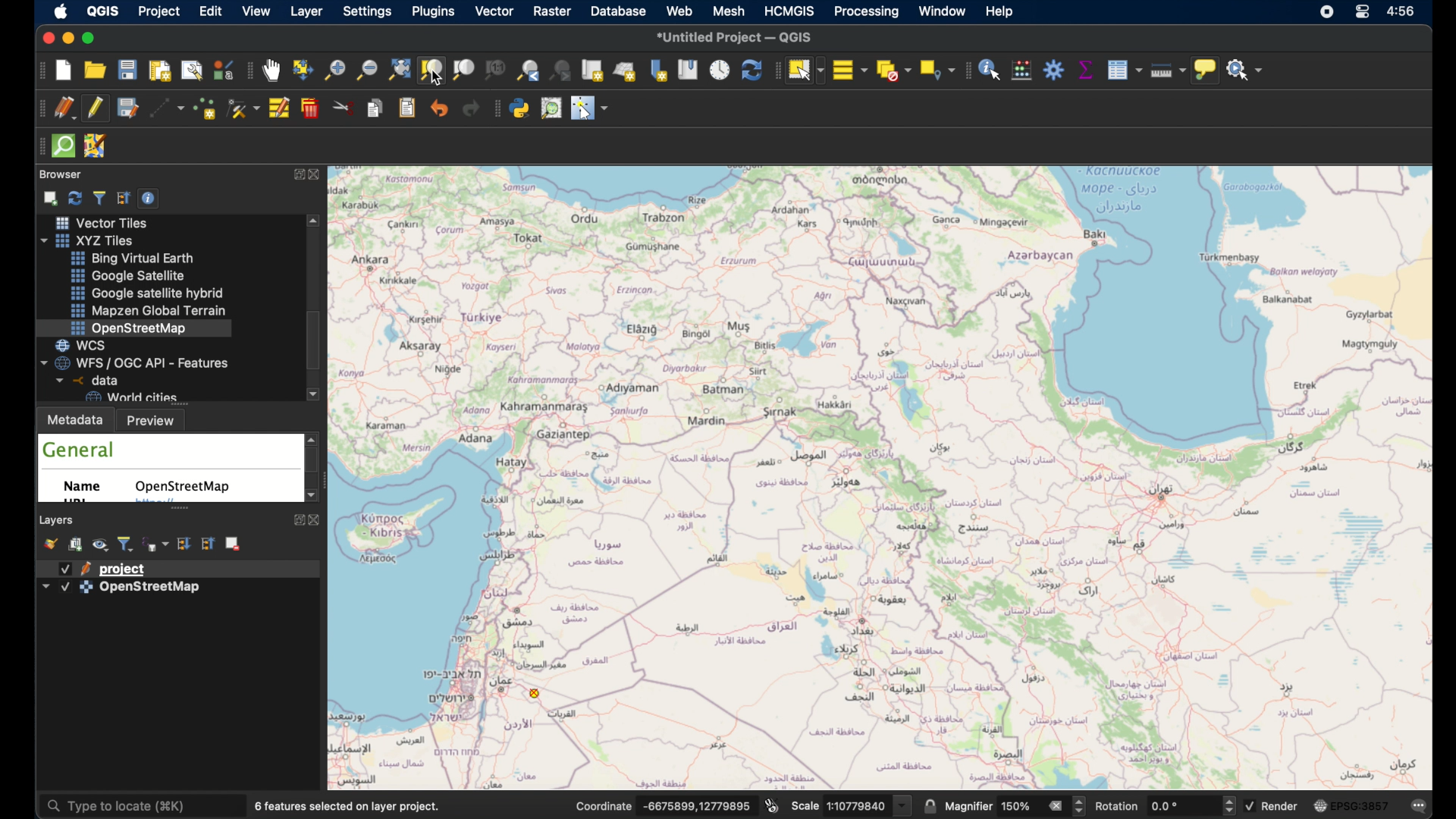  What do you see at coordinates (158, 11) in the screenshot?
I see `` at bounding box center [158, 11].